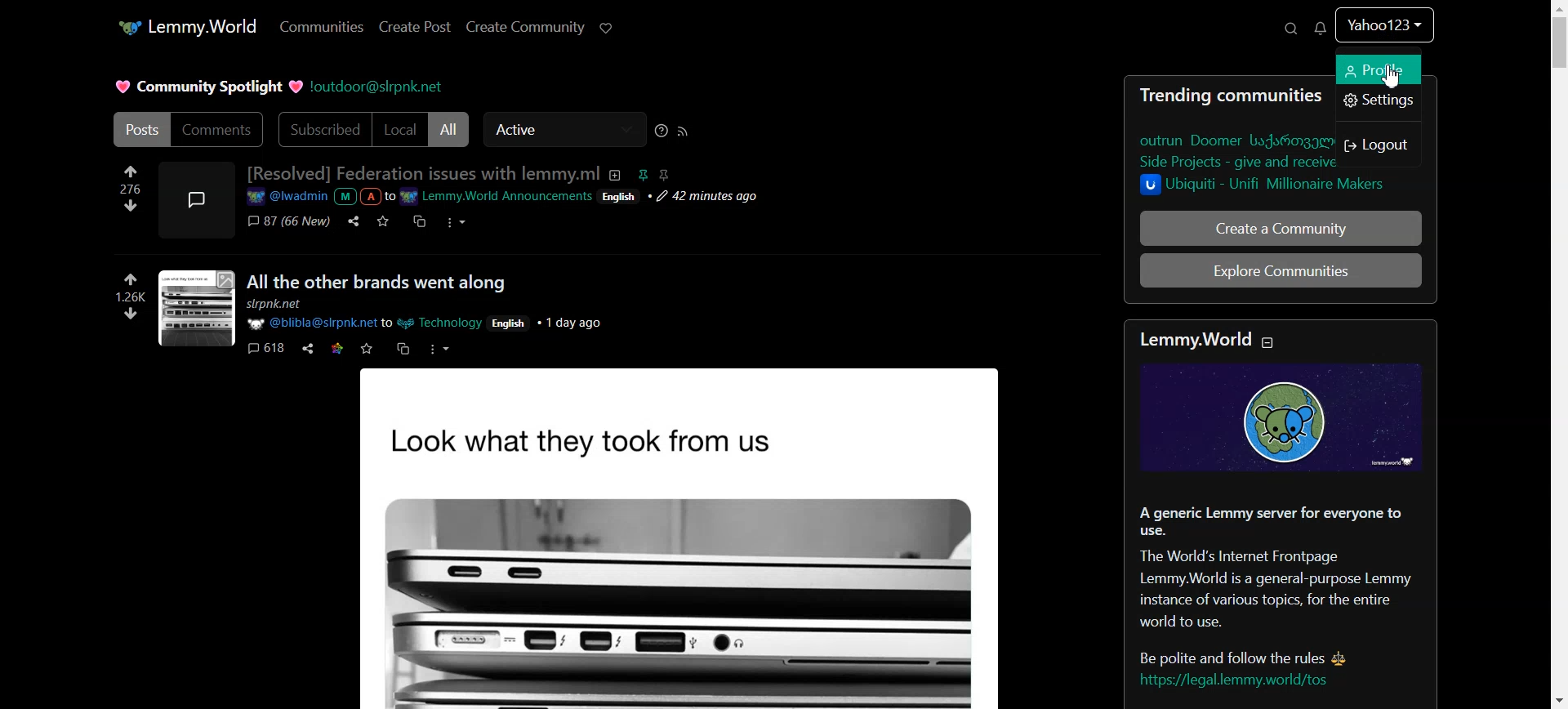 The image size is (1568, 709). I want to click on , so click(510, 324).